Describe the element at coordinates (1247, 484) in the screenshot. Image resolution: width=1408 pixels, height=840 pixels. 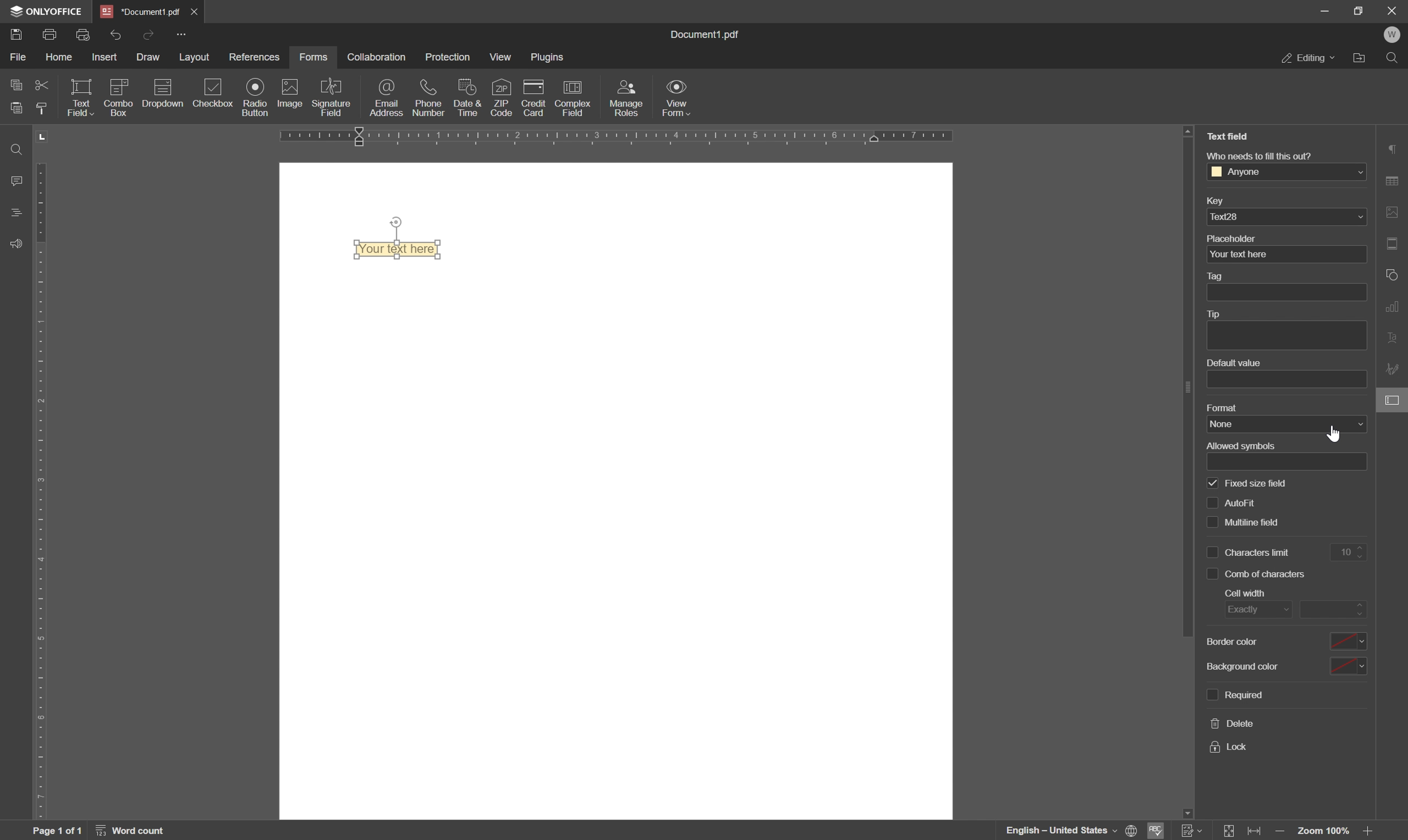
I see `fixed size field` at that location.